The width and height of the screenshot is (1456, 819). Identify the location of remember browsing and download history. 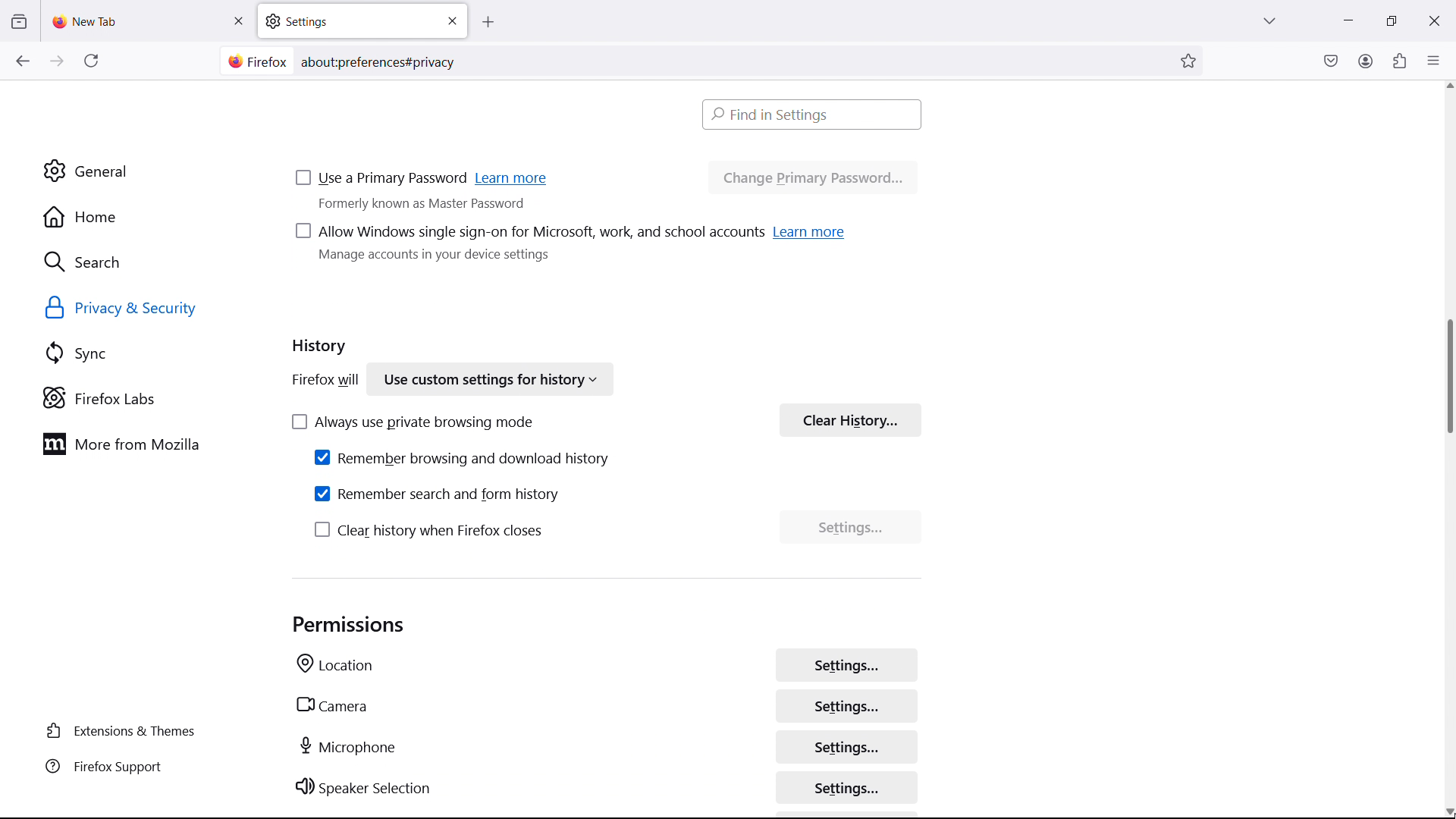
(463, 455).